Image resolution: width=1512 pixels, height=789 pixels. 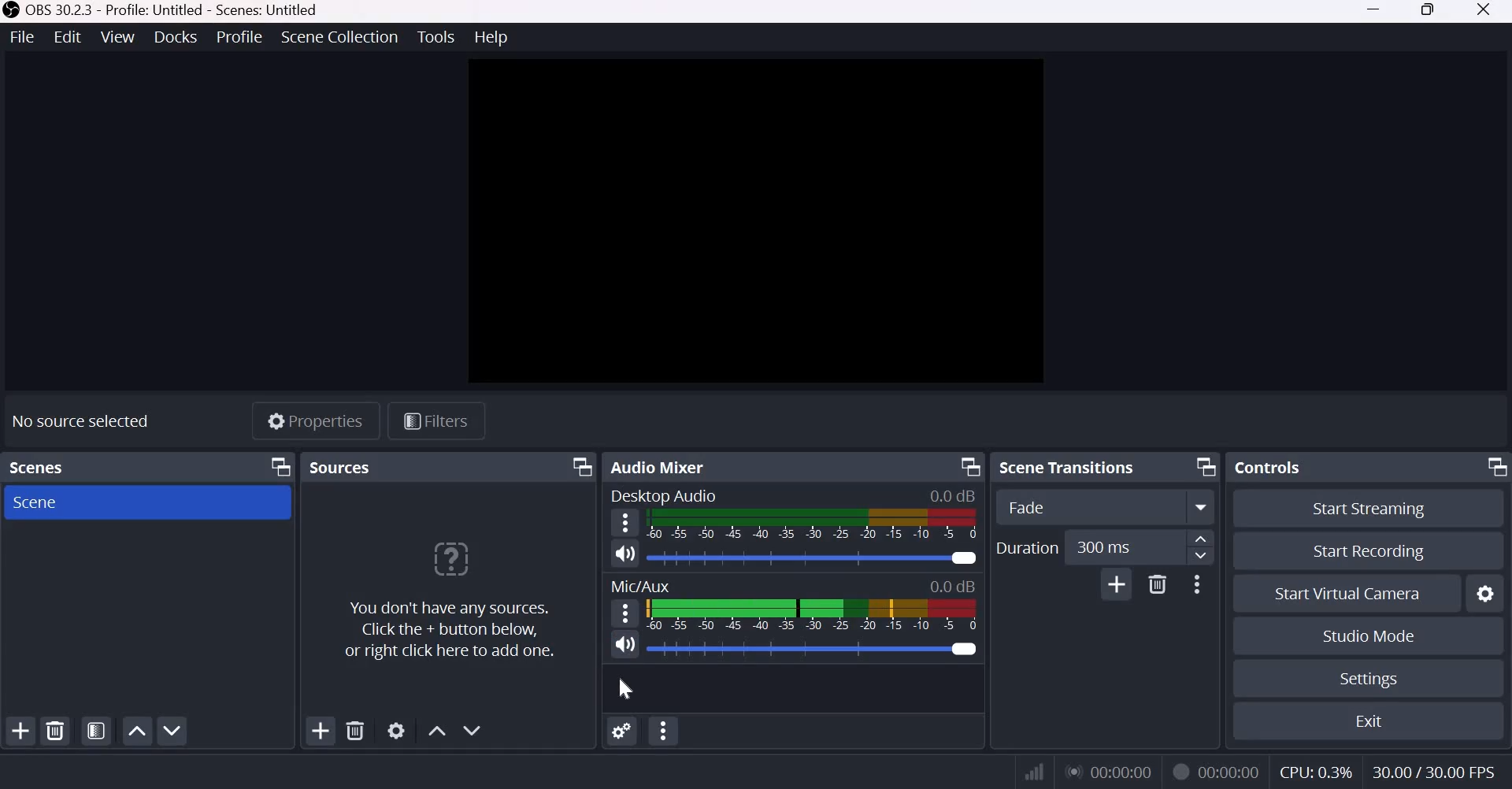 What do you see at coordinates (1370, 680) in the screenshot?
I see `Settings` at bounding box center [1370, 680].